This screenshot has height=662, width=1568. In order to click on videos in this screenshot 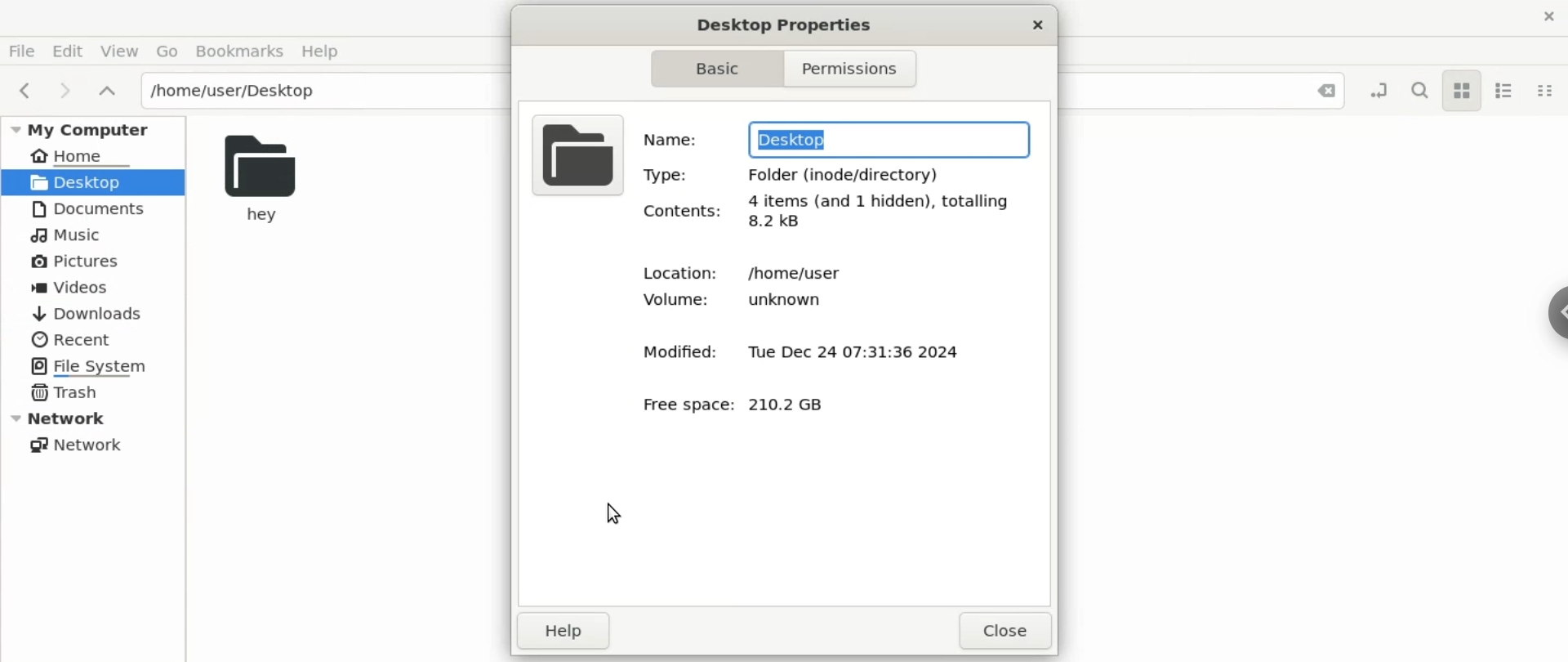, I will do `click(82, 287)`.